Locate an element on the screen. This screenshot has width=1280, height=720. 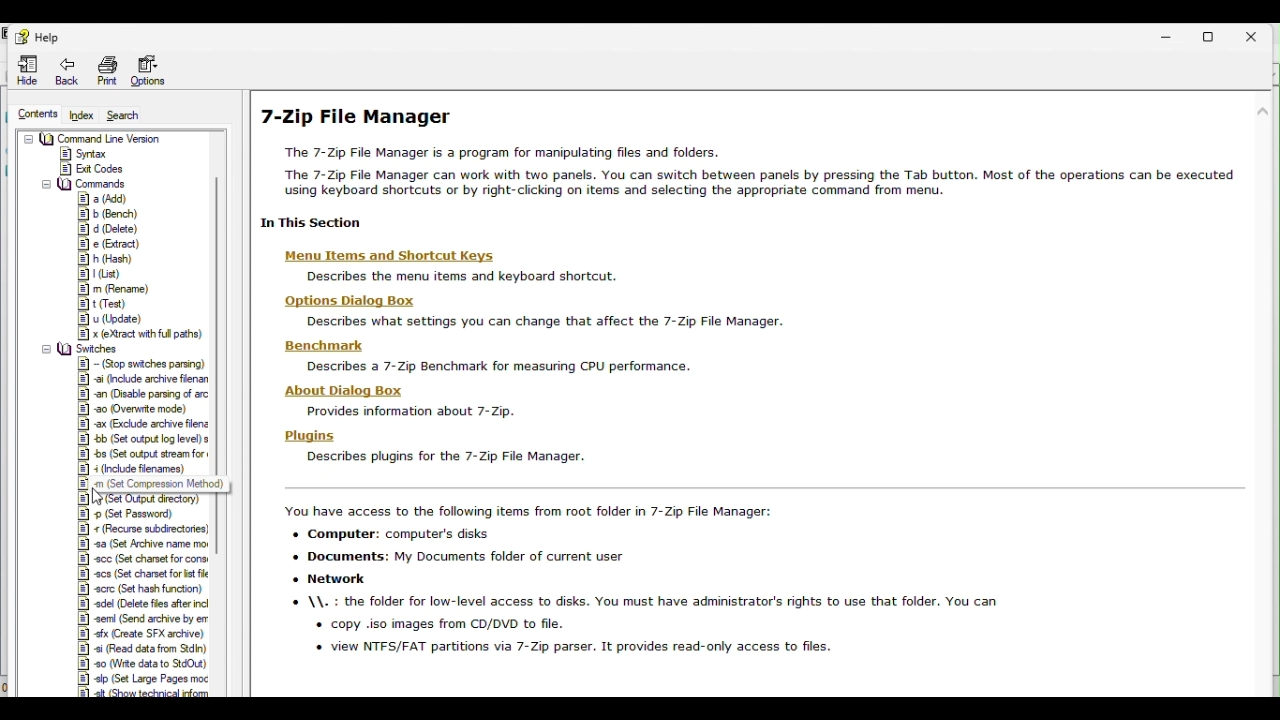
bs is located at coordinates (143, 452).